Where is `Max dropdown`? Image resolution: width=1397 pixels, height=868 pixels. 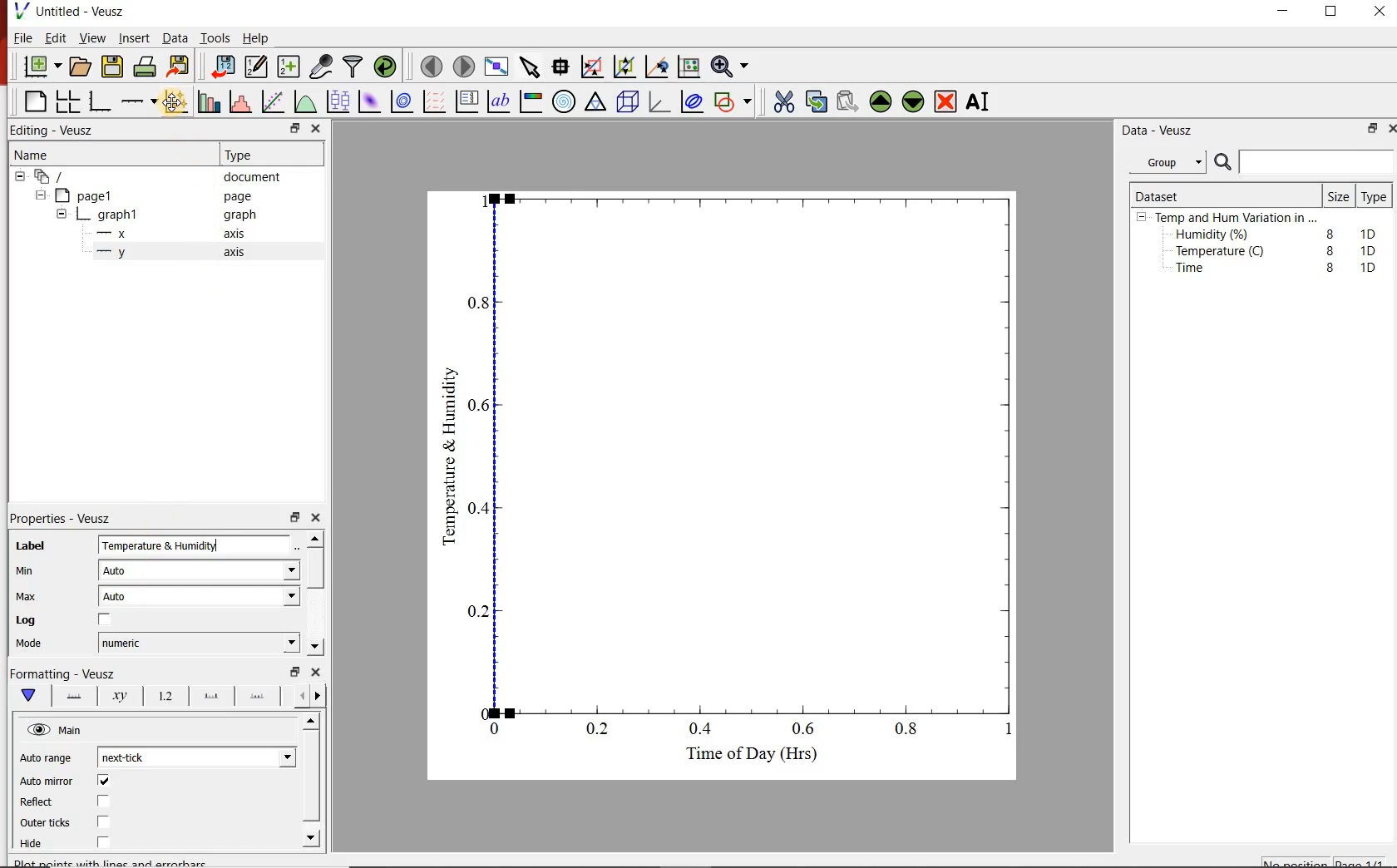
Max dropdown is located at coordinates (274, 599).